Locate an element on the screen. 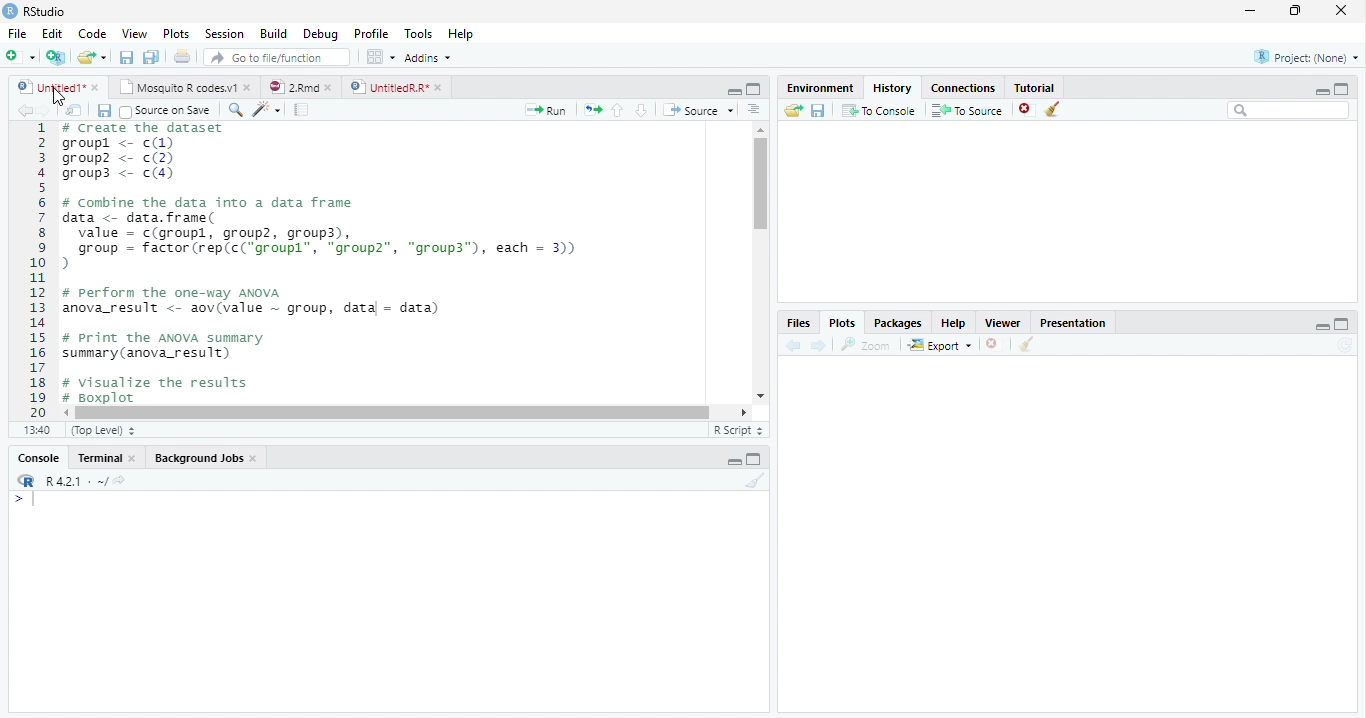 Image resolution: width=1366 pixels, height=718 pixels. R script is located at coordinates (736, 429).